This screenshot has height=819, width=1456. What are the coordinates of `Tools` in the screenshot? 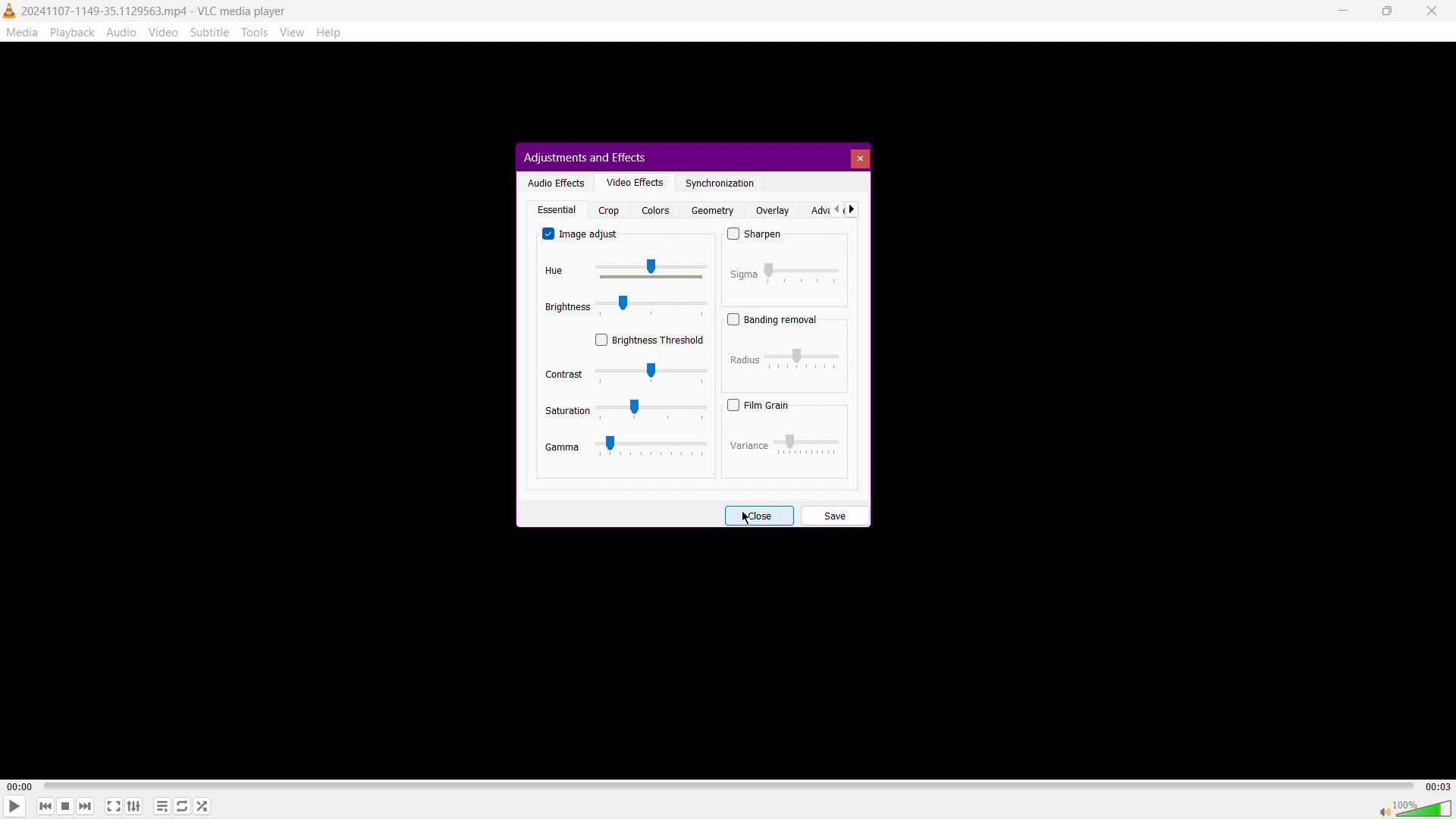 It's located at (256, 33).